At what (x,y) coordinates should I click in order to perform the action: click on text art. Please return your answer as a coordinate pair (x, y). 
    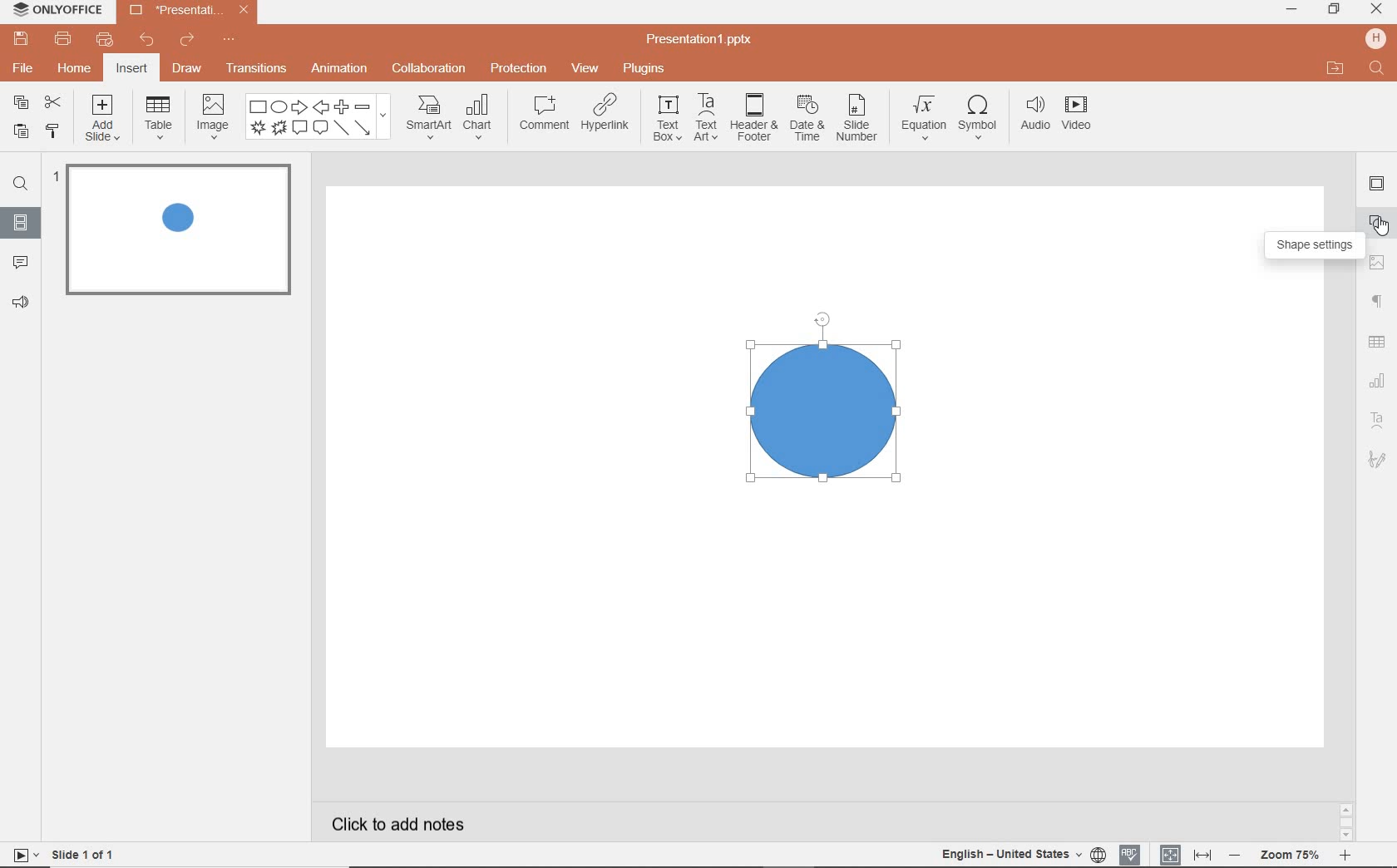
    Looking at the image, I should click on (708, 118).